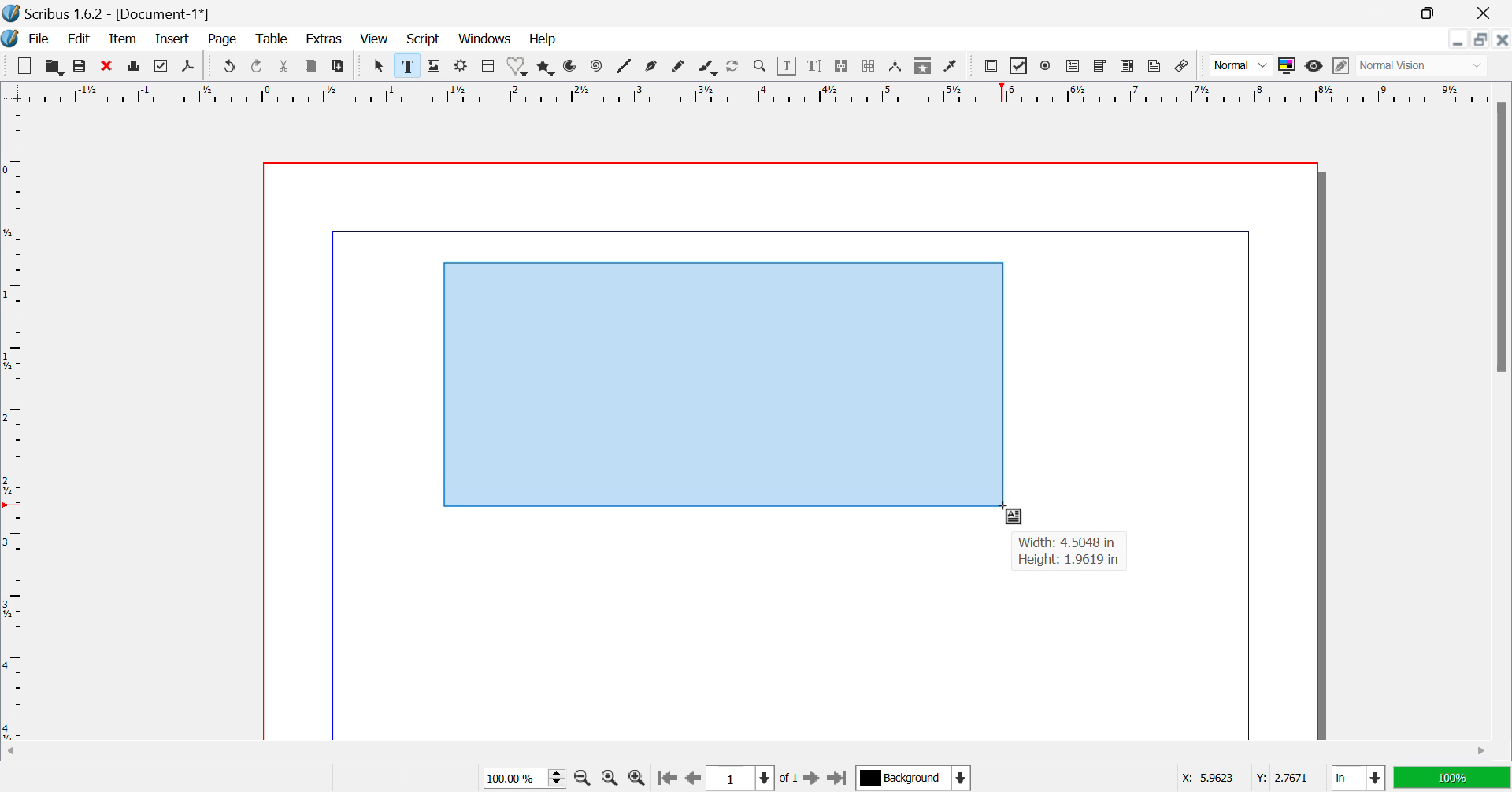 Image resolution: width=1512 pixels, height=792 pixels. What do you see at coordinates (488, 67) in the screenshot?
I see `Table` at bounding box center [488, 67].